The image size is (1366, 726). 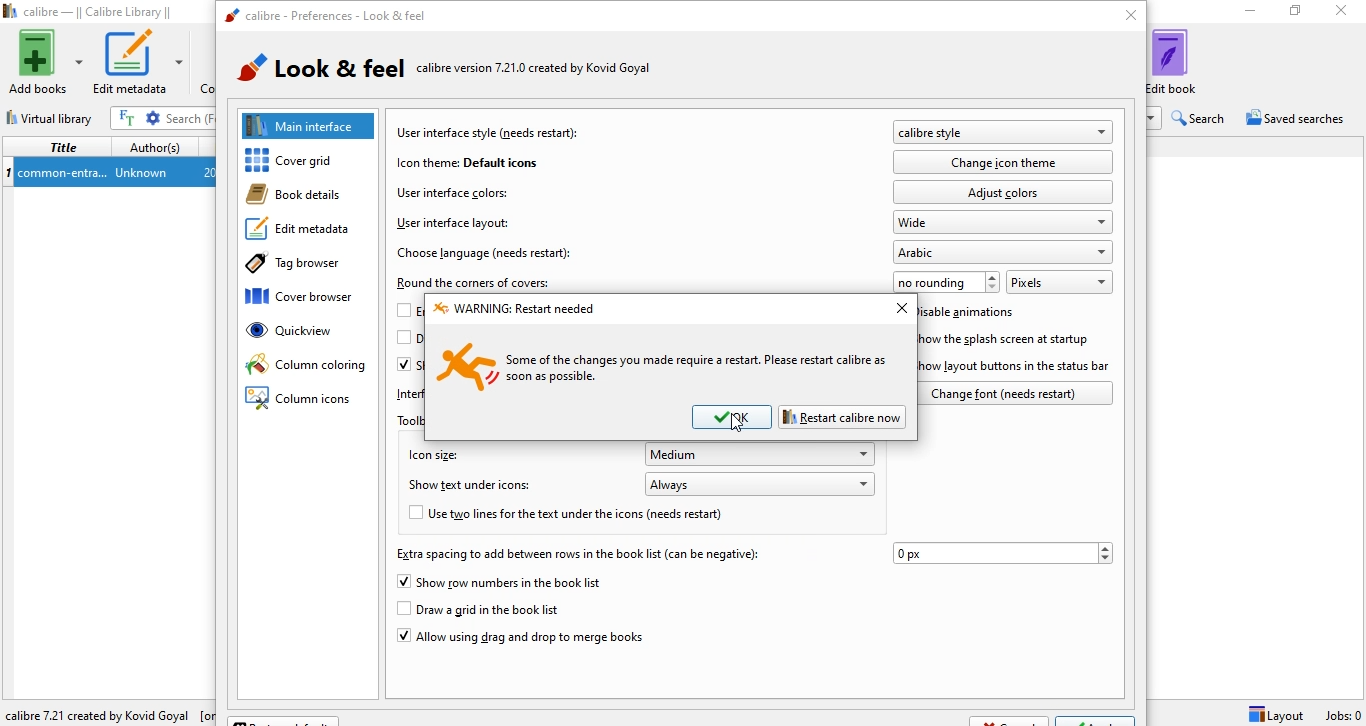 What do you see at coordinates (324, 17) in the screenshot?
I see `calibre - Preferences - Look  & feel` at bounding box center [324, 17].